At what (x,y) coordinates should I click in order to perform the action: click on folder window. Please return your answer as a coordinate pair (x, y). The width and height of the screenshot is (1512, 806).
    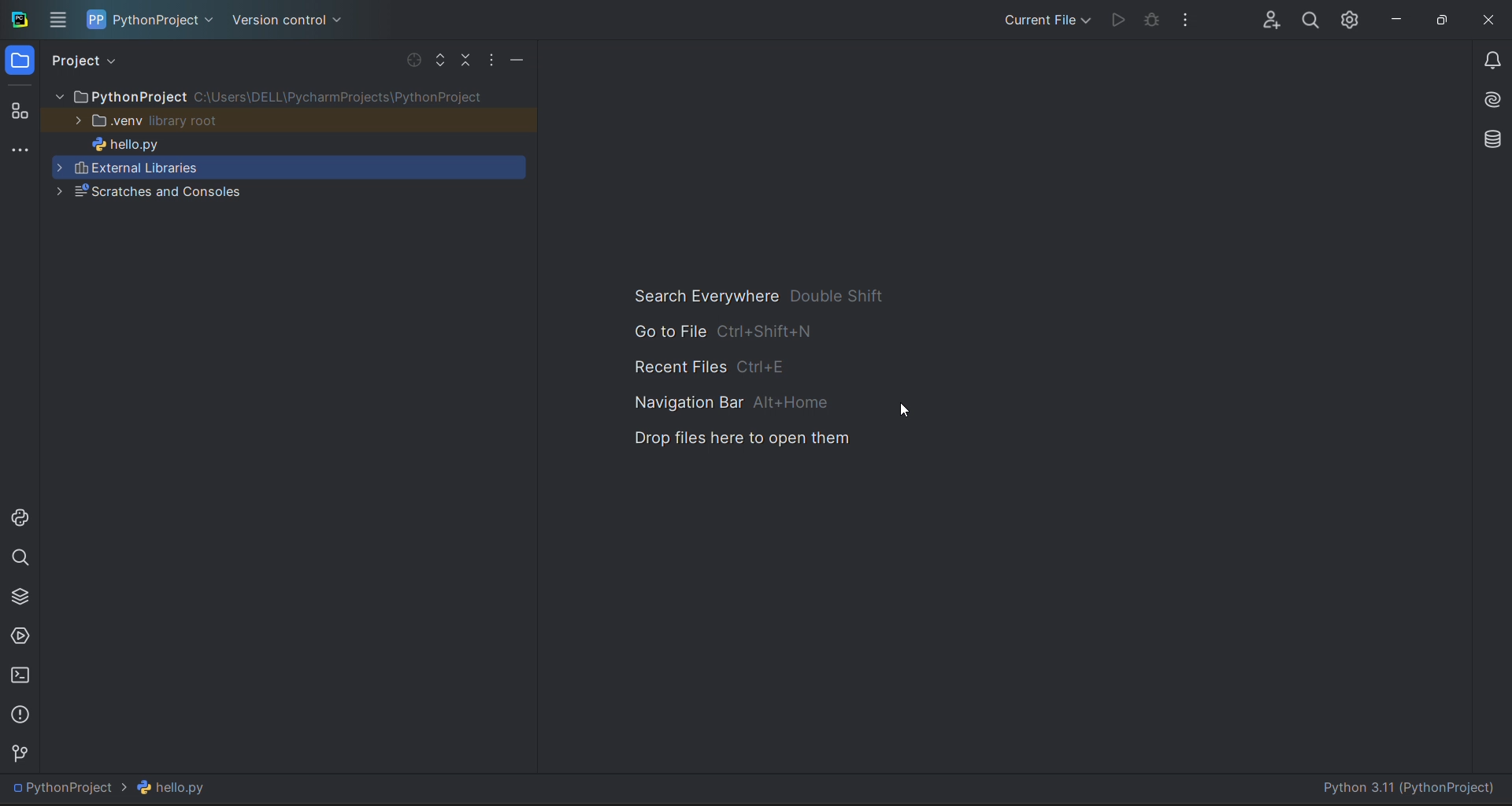
    Looking at the image, I should click on (19, 60).